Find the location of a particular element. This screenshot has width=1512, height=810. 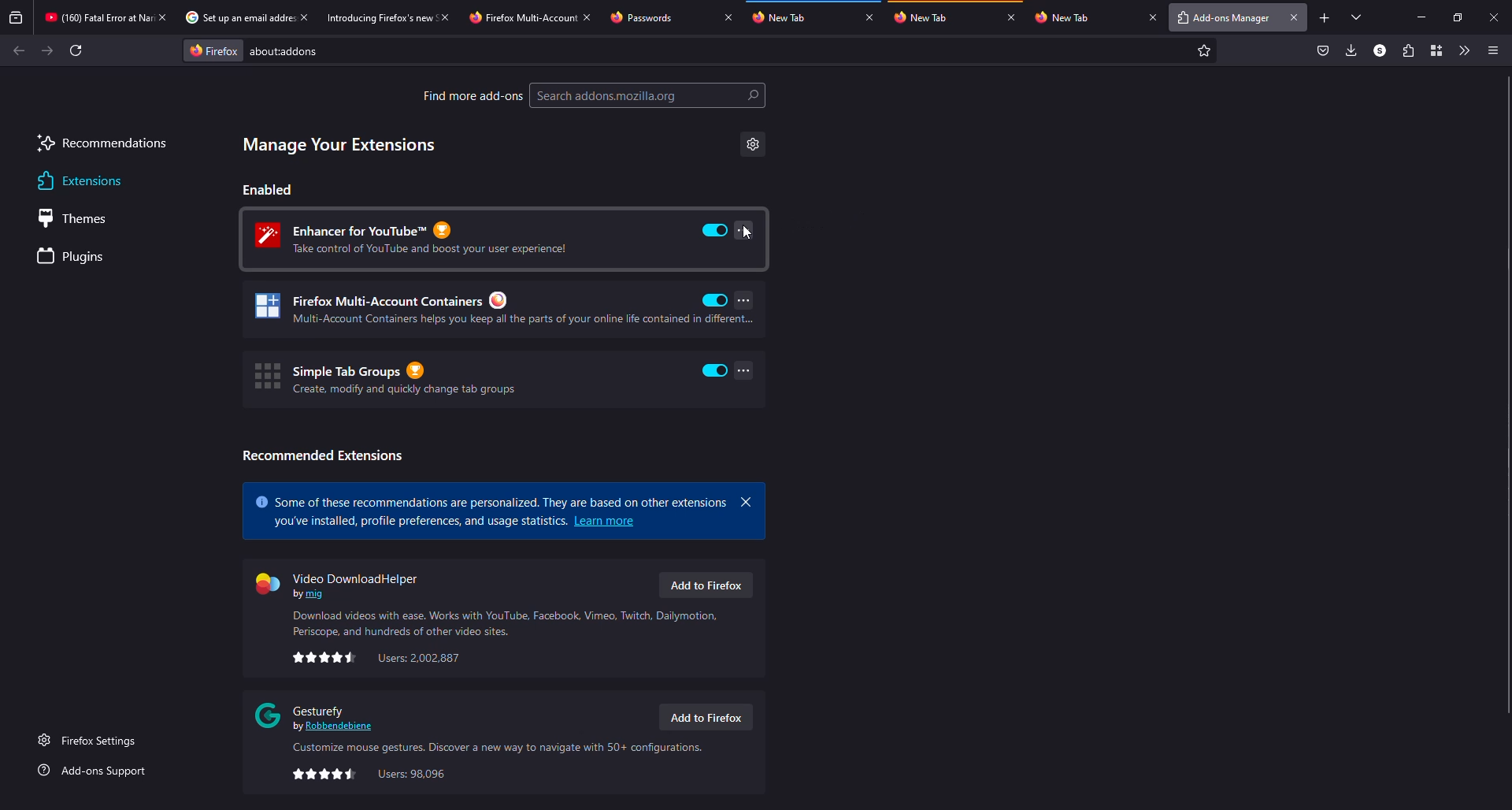

Add current page to favorite is located at coordinates (1204, 50).